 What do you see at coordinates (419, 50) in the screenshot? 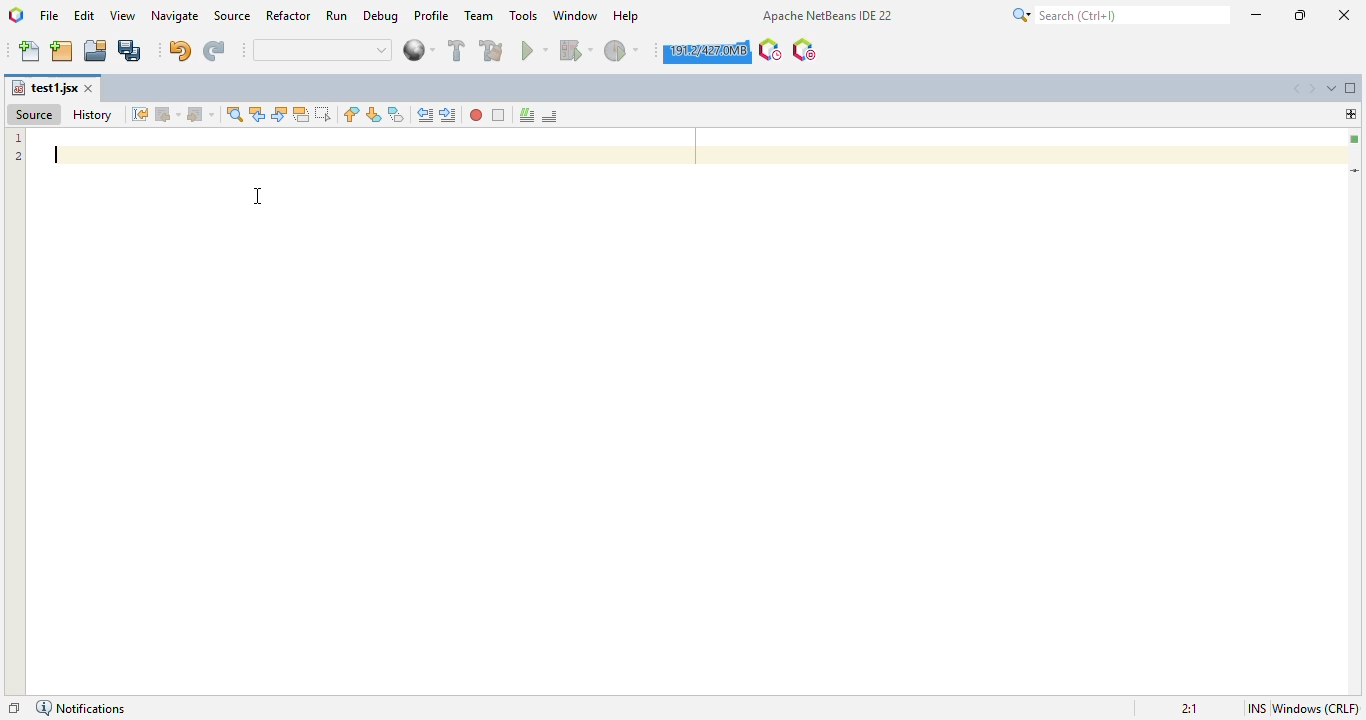
I see `web browser` at bounding box center [419, 50].